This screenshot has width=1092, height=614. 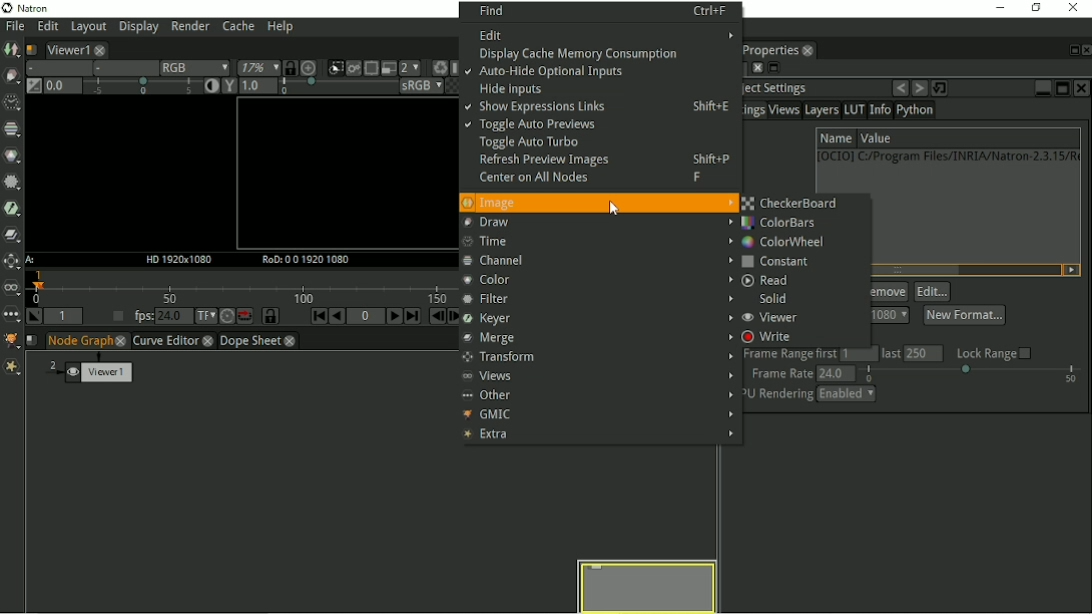 What do you see at coordinates (879, 111) in the screenshot?
I see `Info` at bounding box center [879, 111].